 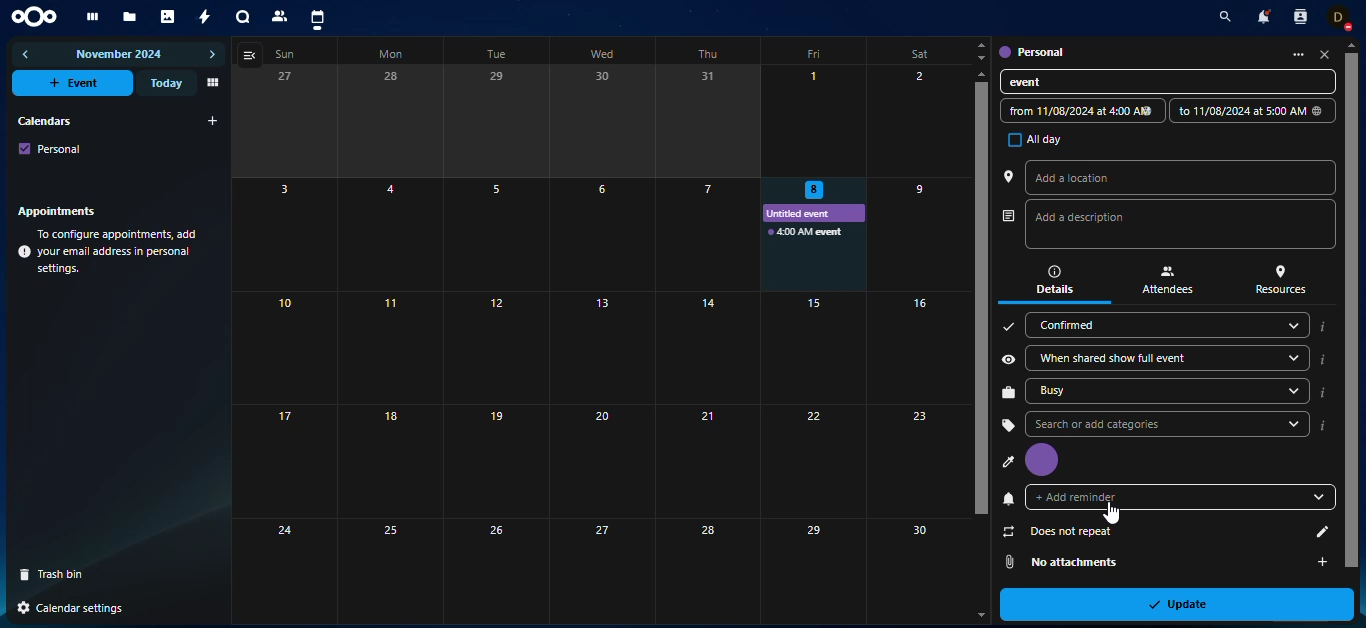 I want to click on 26, so click(x=494, y=571).